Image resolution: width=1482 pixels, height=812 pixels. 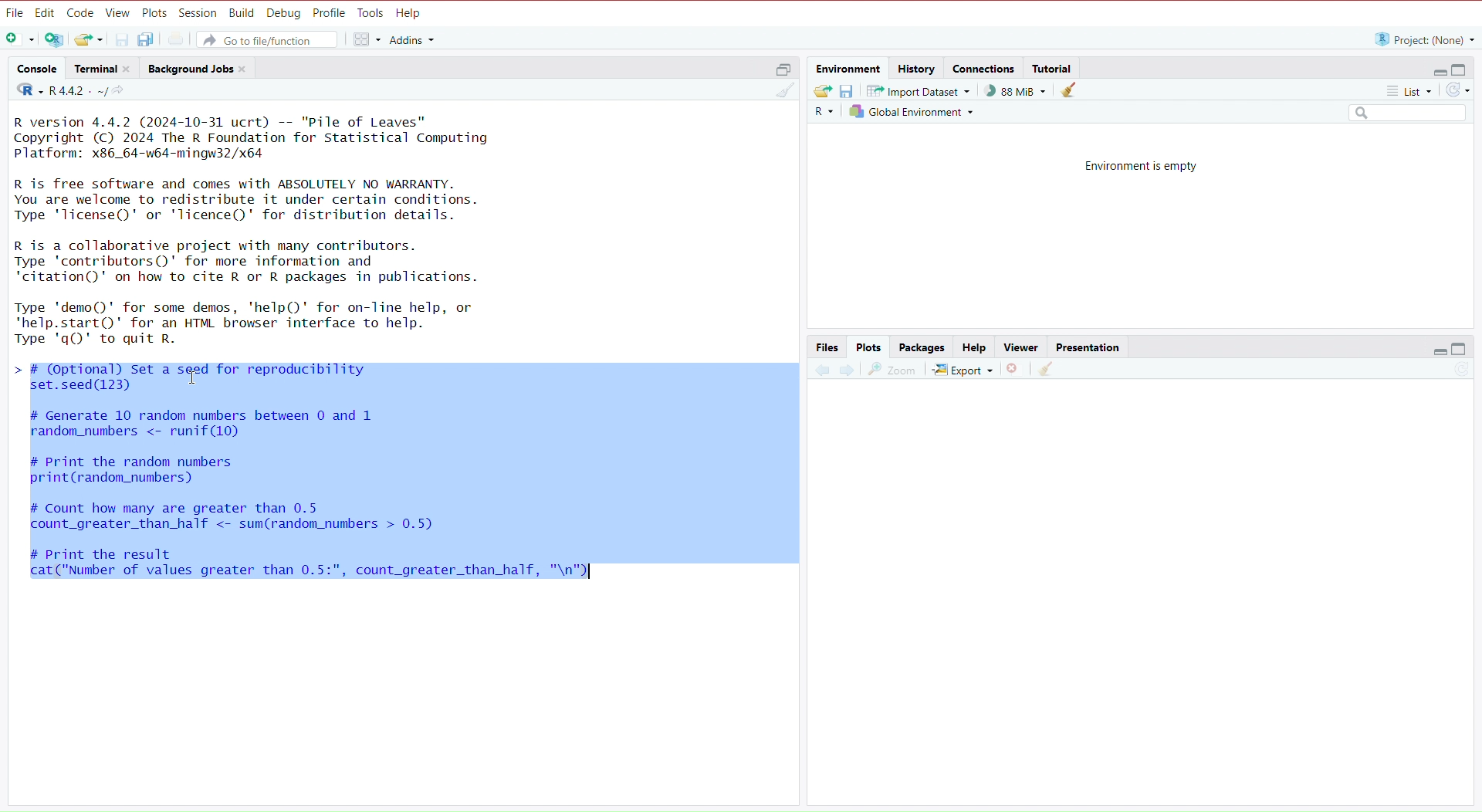 What do you see at coordinates (893, 370) in the screenshot?
I see `Zoom` at bounding box center [893, 370].